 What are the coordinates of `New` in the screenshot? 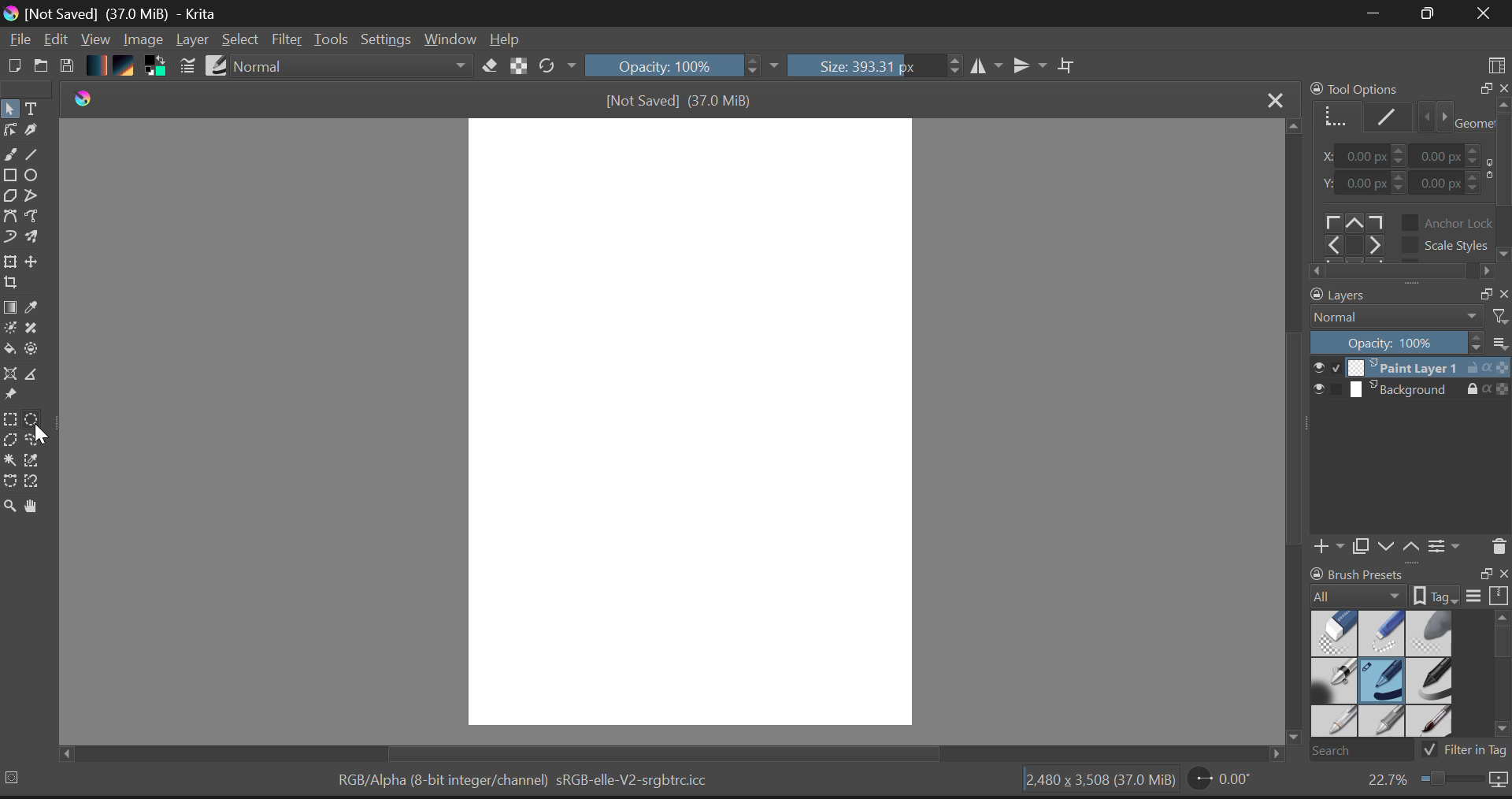 It's located at (15, 65).